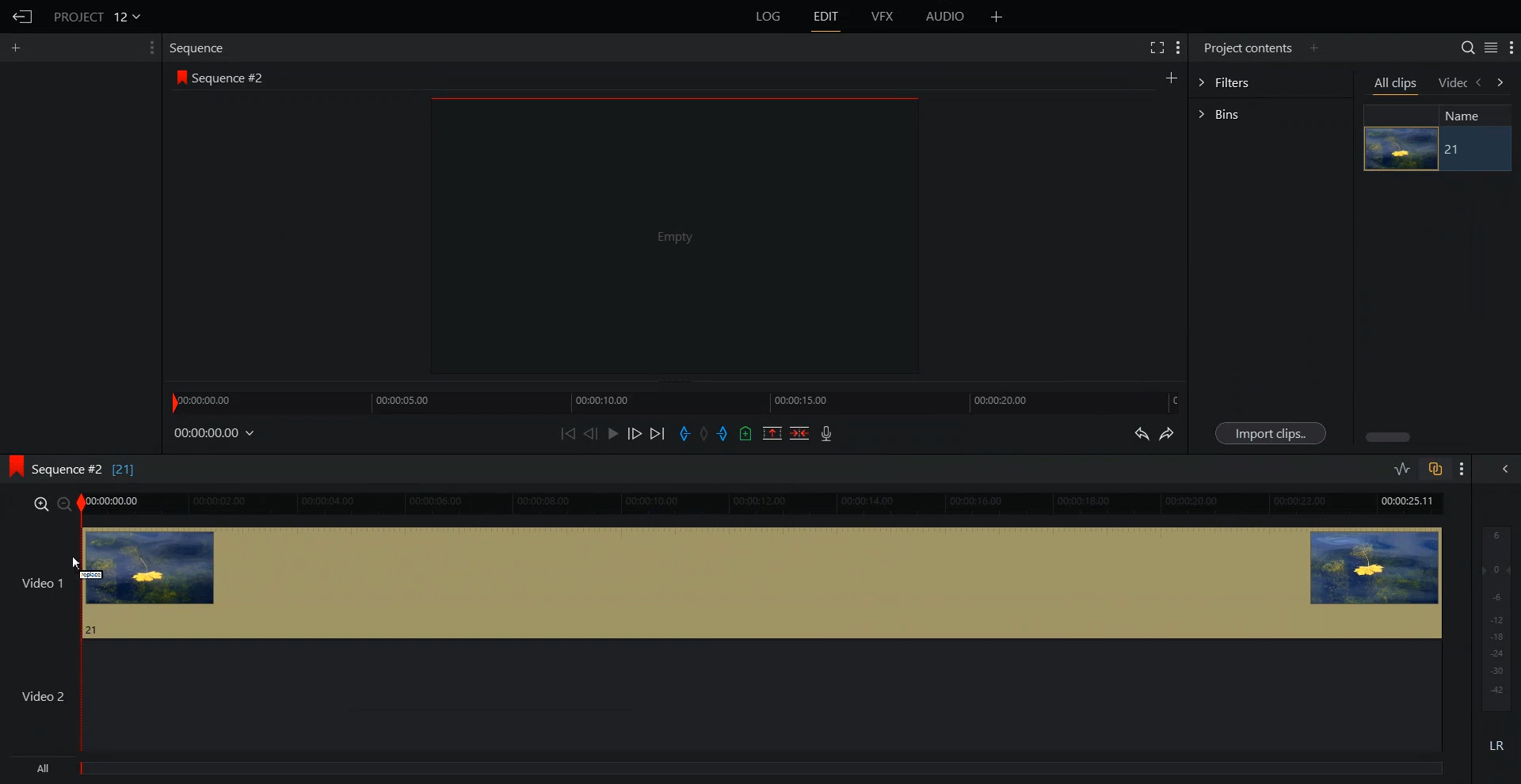 Image resolution: width=1521 pixels, height=784 pixels. I want to click on Import clips, so click(1269, 433).